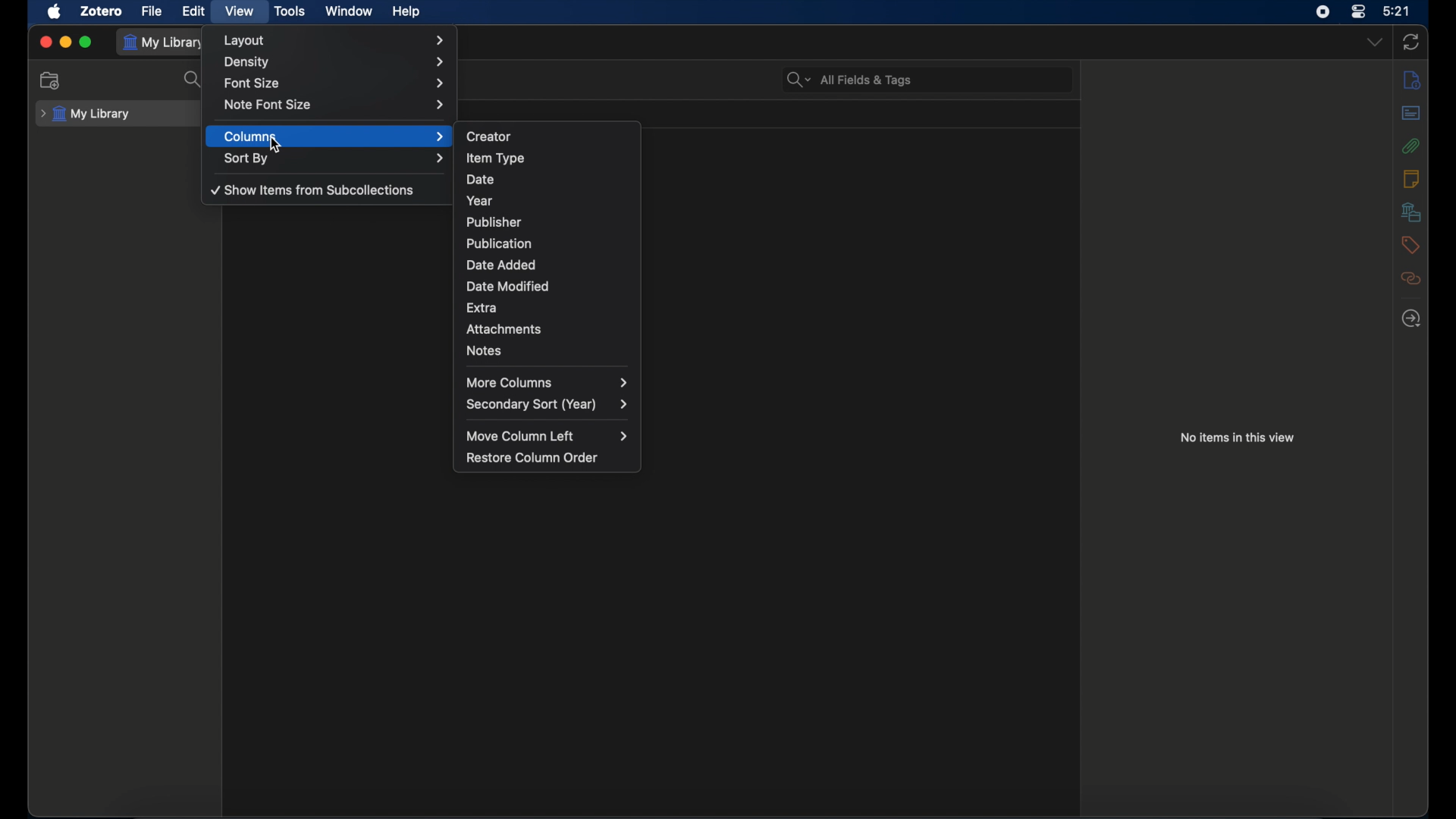  I want to click on related, so click(1410, 278).